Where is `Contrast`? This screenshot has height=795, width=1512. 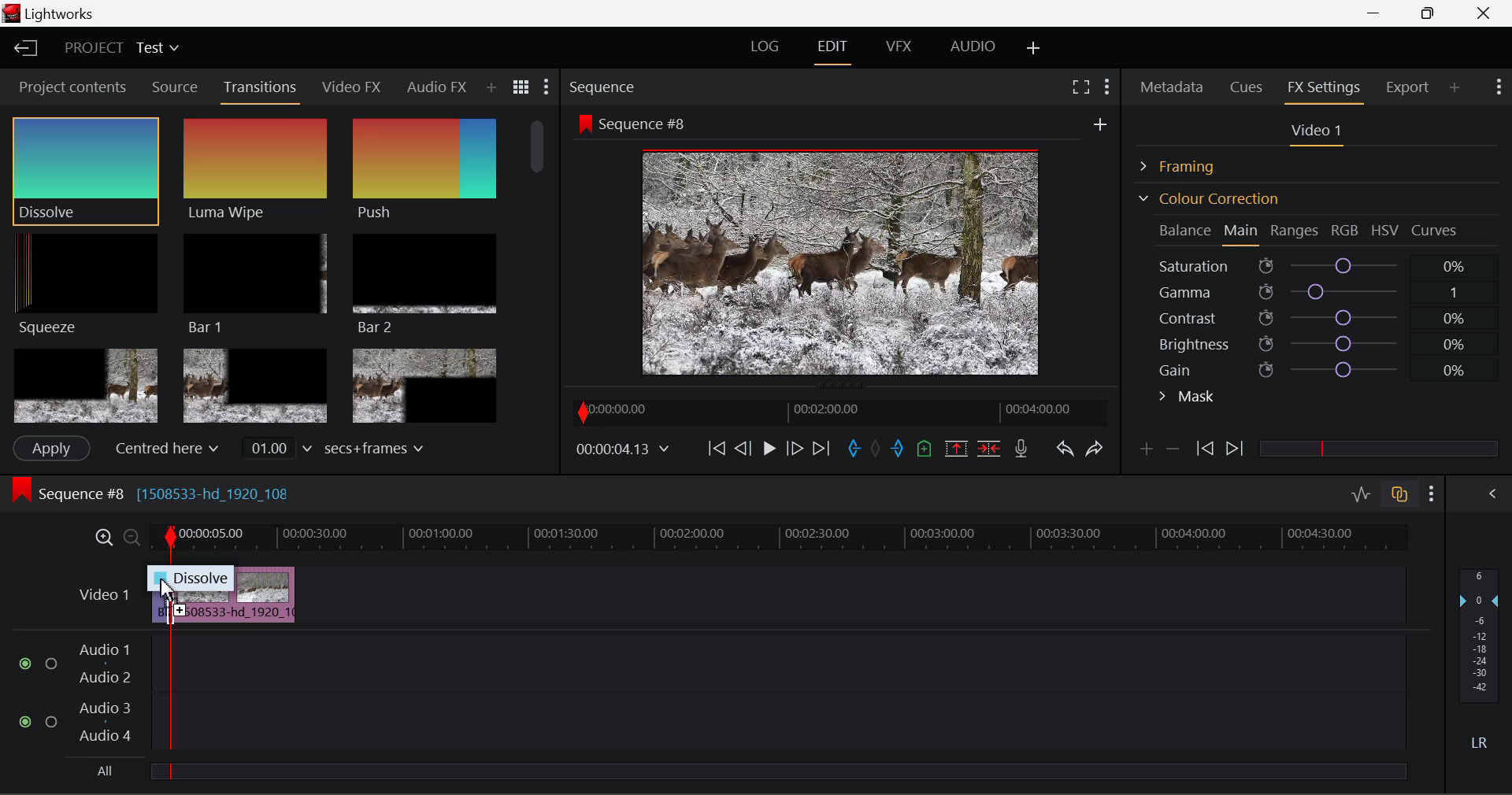 Contrast is located at coordinates (1318, 317).